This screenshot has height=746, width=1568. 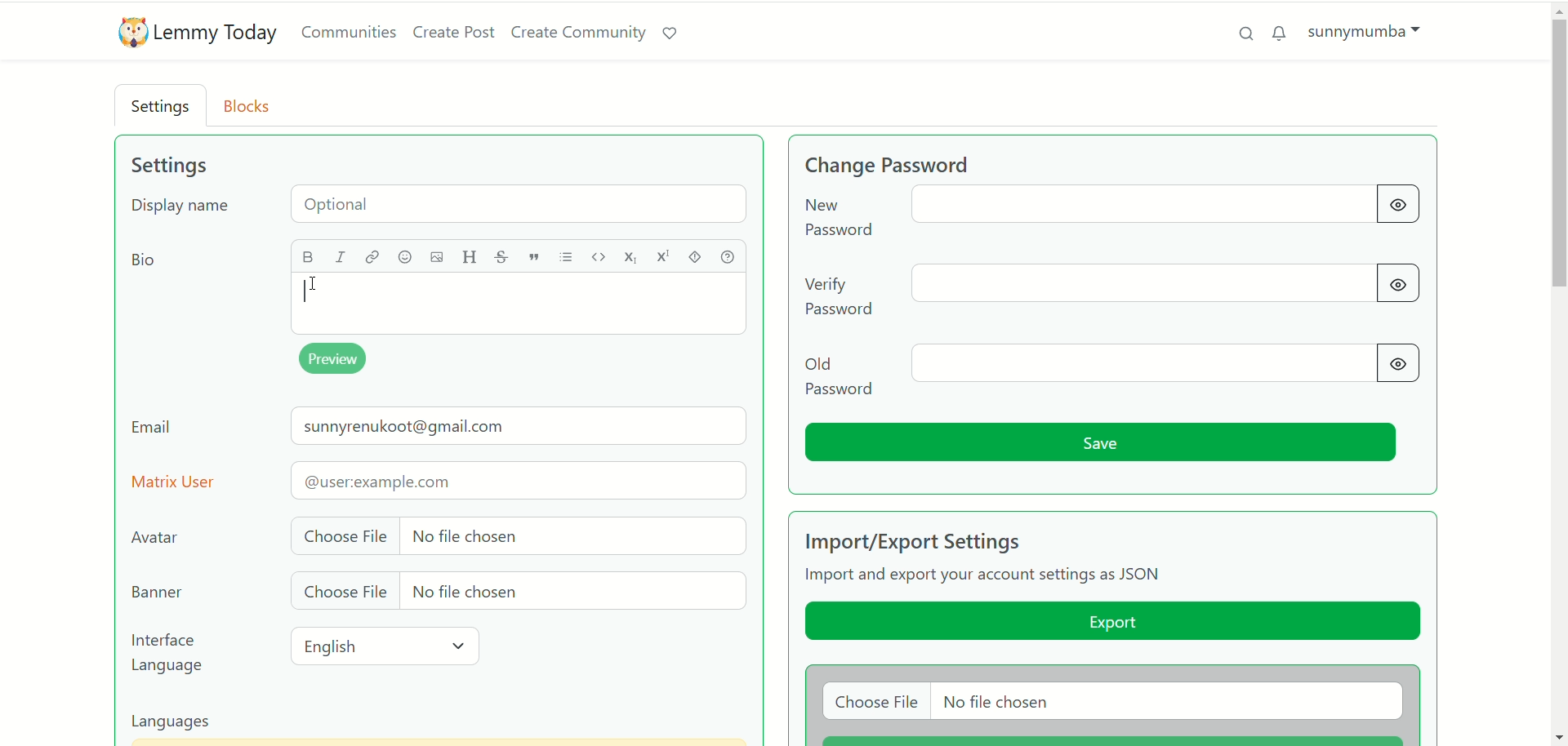 What do you see at coordinates (337, 360) in the screenshot?
I see `preview` at bounding box center [337, 360].